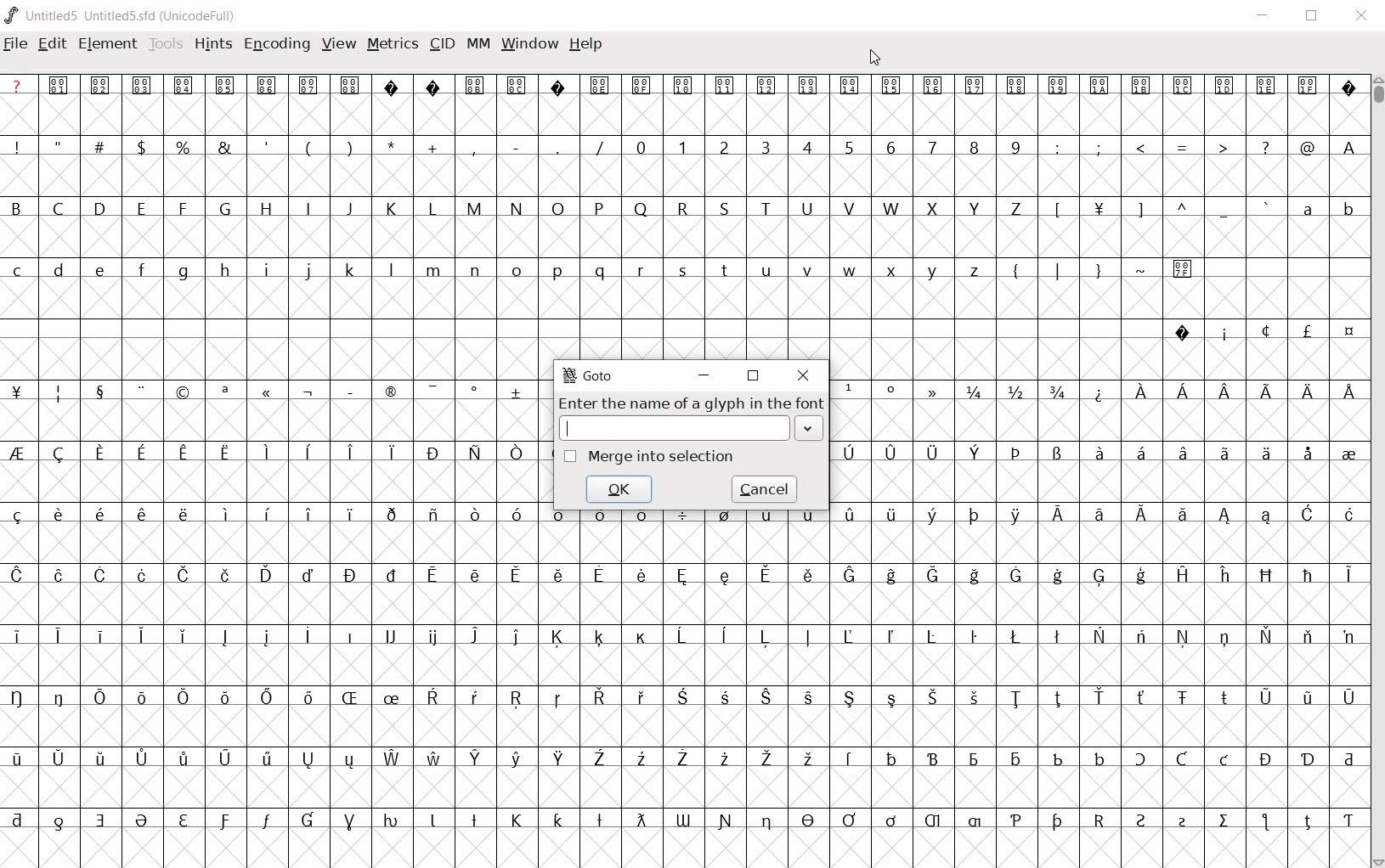 Image resolution: width=1385 pixels, height=868 pixels. I want to click on Symbol, so click(1141, 637).